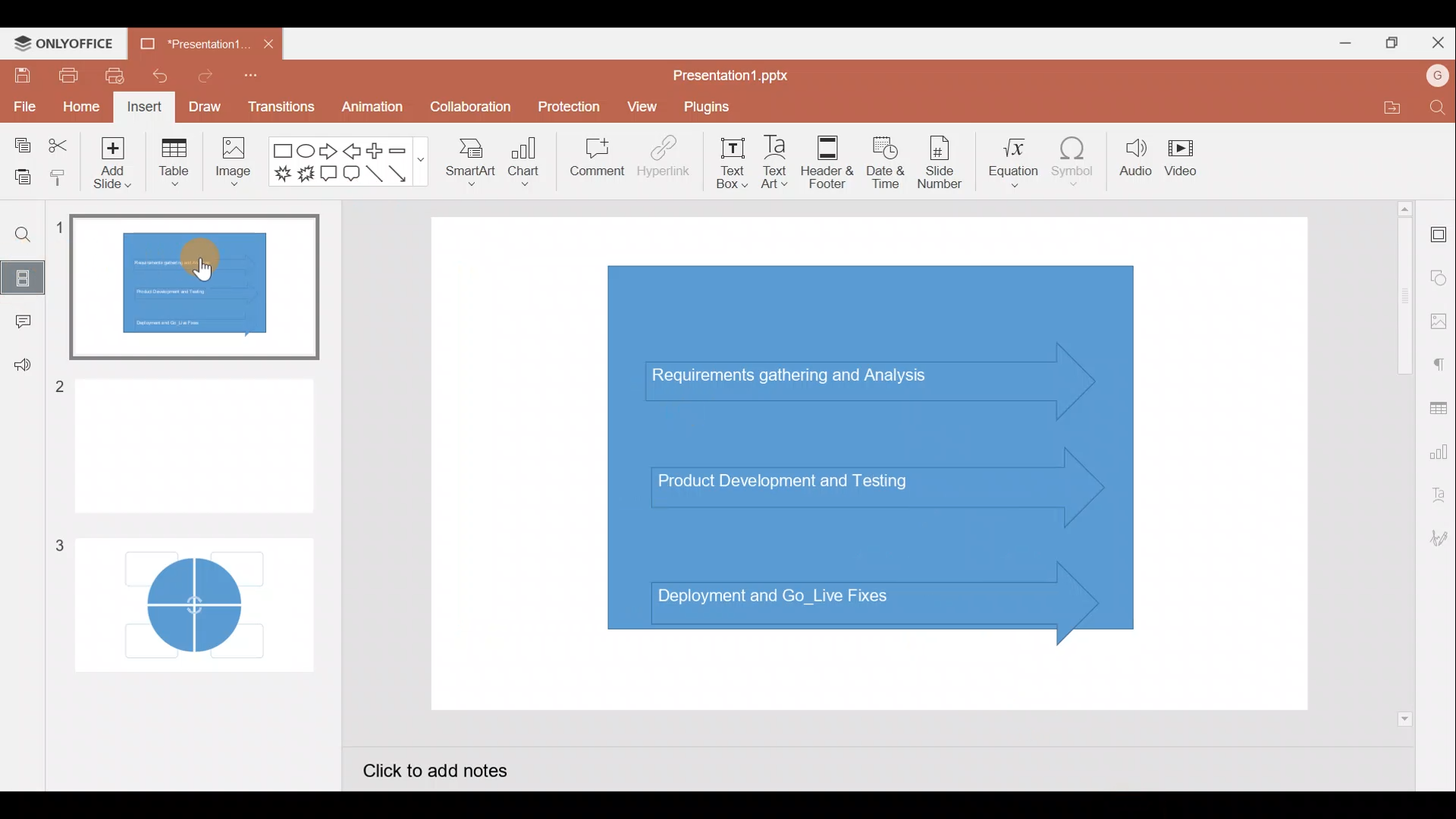 The width and height of the screenshot is (1456, 819). Describe the element at coordinates (58, 142) in the screenshot. I see `Cut` at that location.